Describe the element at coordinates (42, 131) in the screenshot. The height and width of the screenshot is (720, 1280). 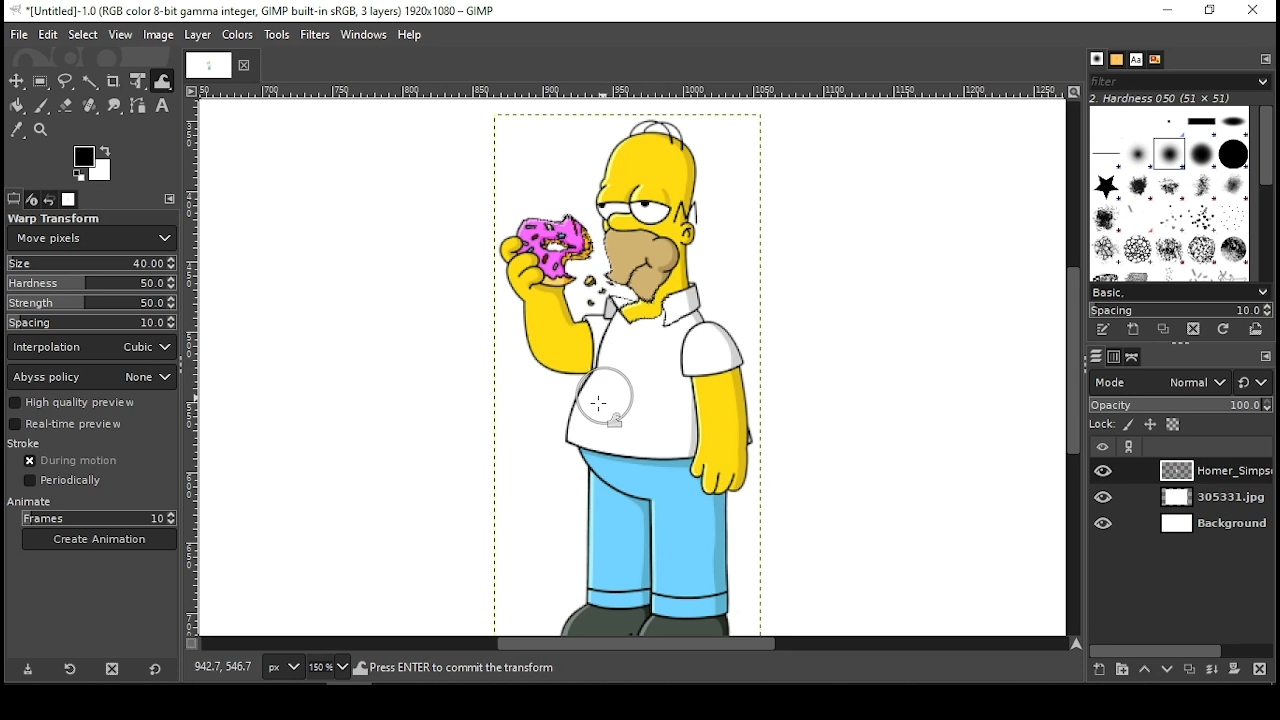
I see `zoom tool` at that location.